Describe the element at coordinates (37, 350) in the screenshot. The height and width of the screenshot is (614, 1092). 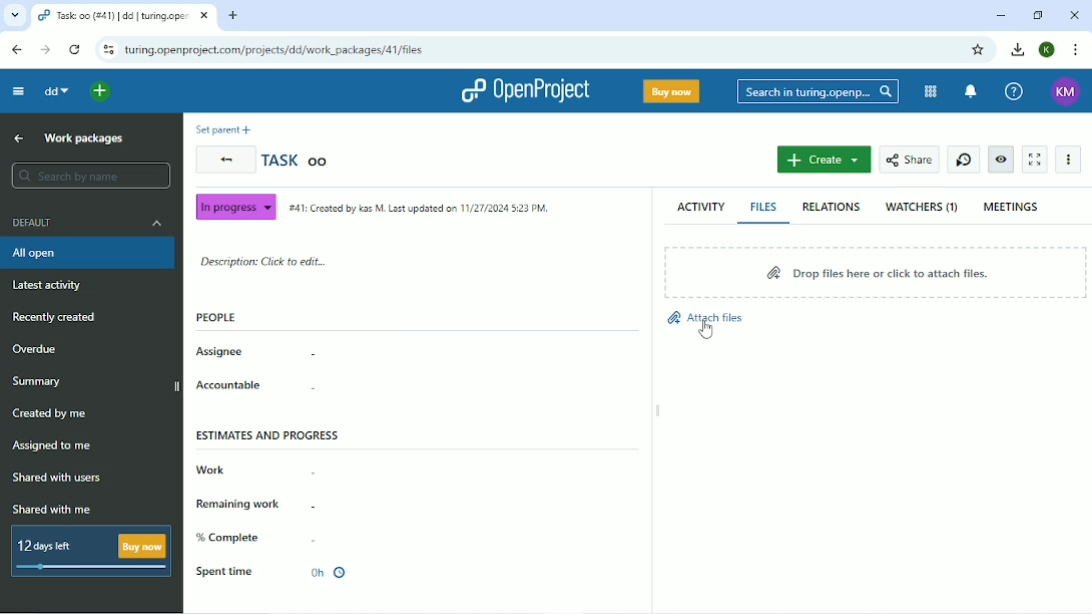
I see `Overdue` at that location.